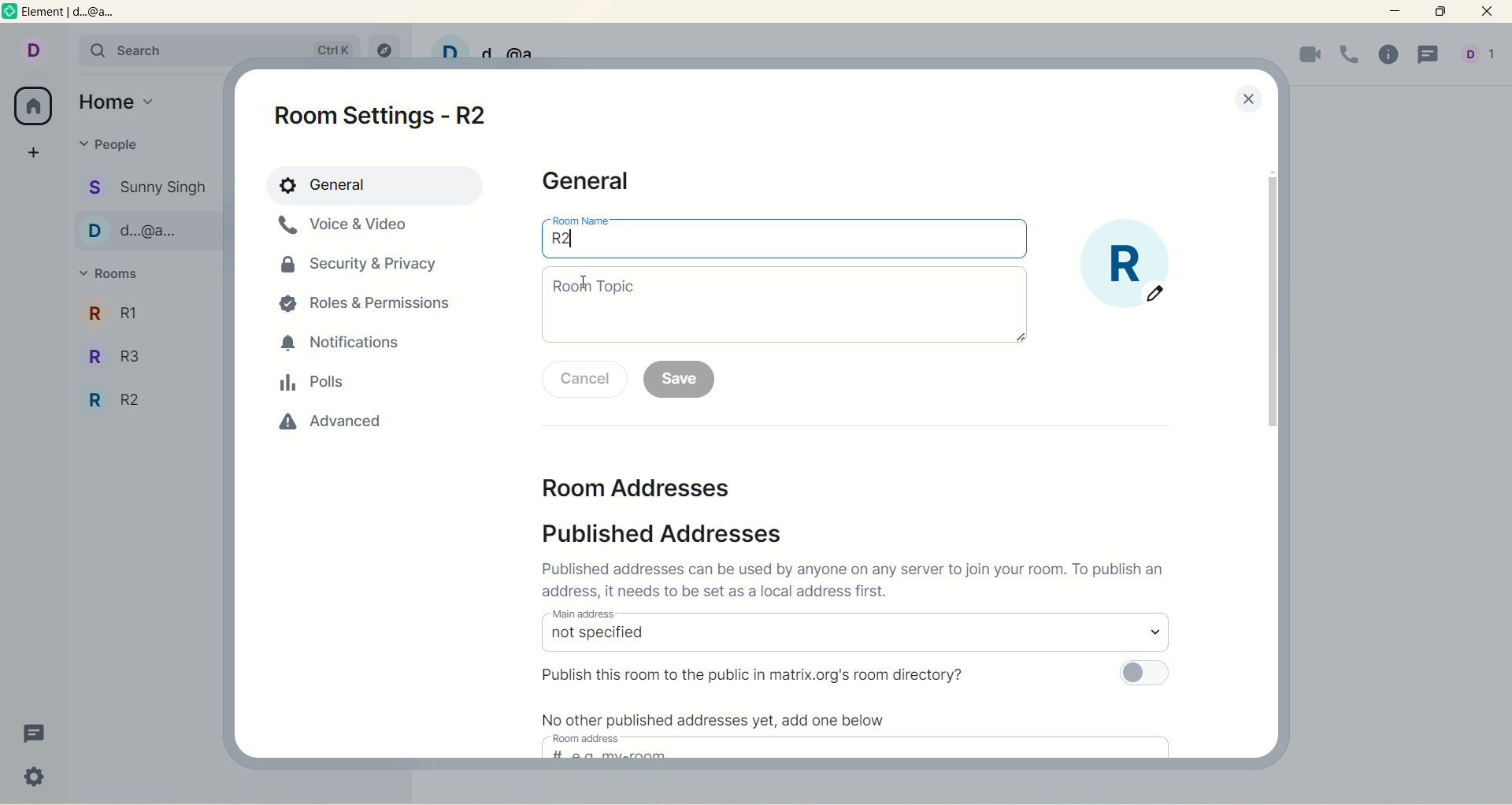 The height and width of the screenshot is (805, 1512). Describe the element at coordinates (721, 718) in the screenshot. I see `text` at that location.